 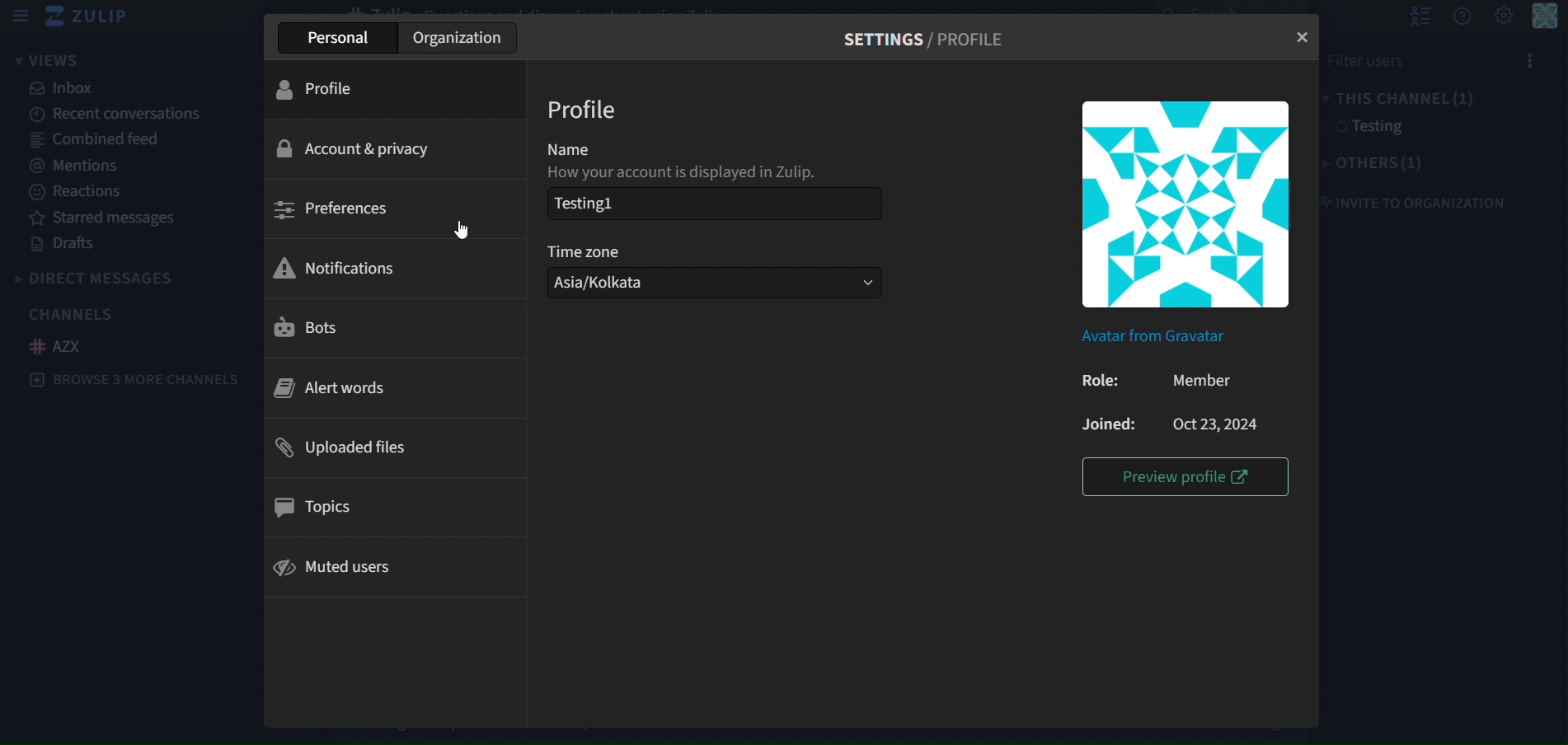 I want to click on personal, so click(x=339, y=40).